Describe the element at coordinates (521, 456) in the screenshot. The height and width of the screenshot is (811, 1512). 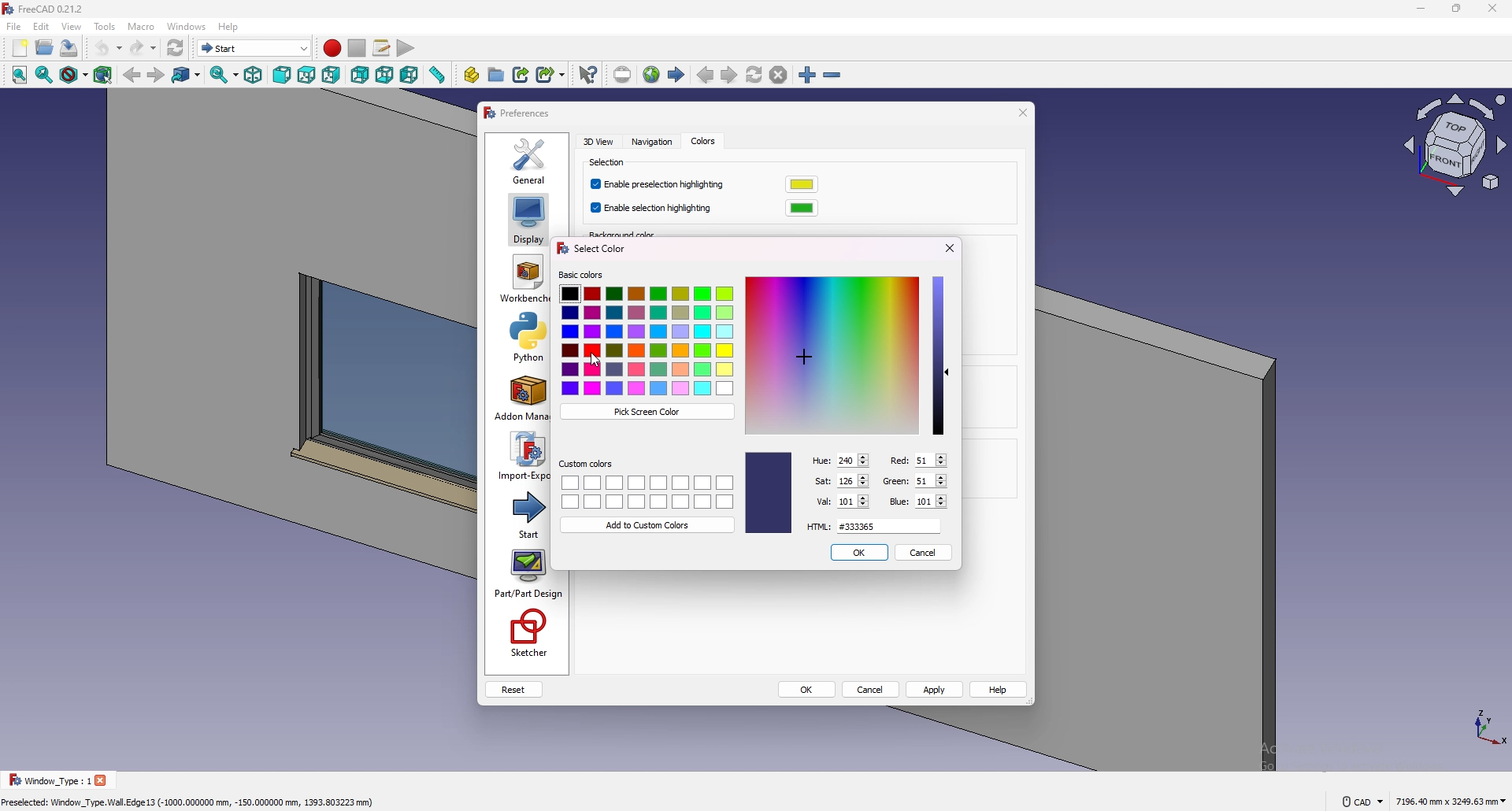
I see `import export` at that location.